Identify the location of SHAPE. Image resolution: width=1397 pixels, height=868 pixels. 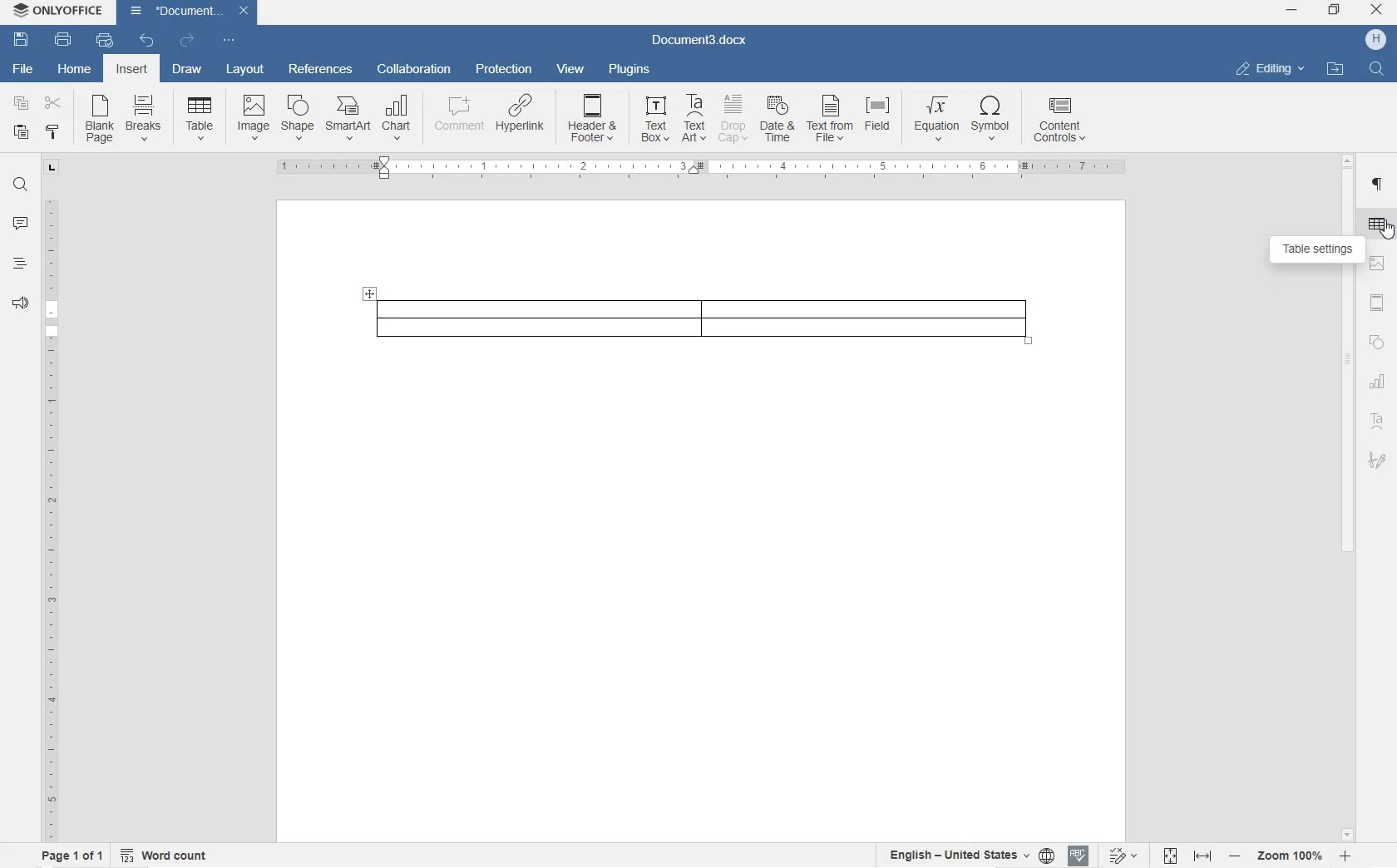
(1375, 345).